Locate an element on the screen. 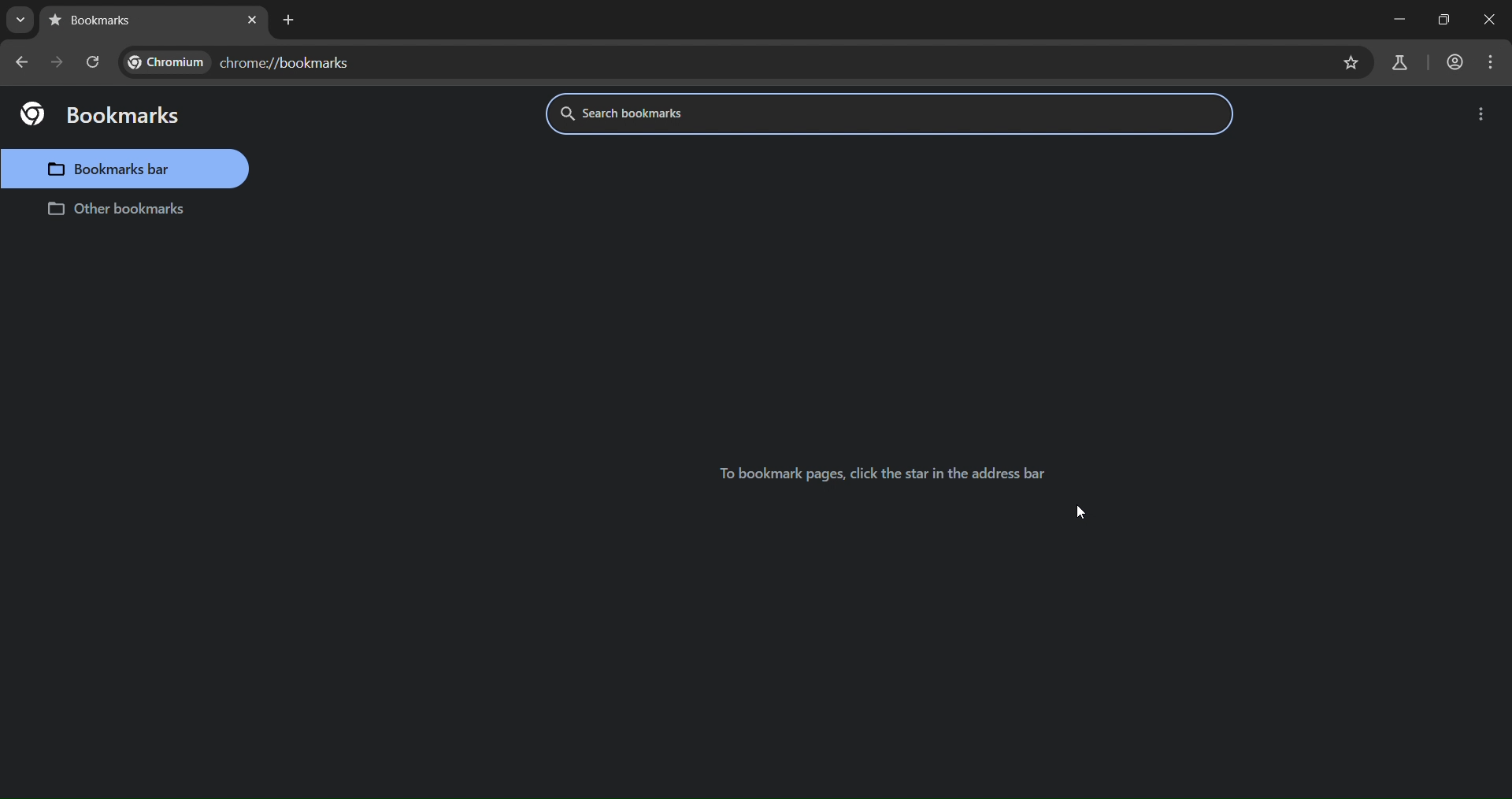 The width and height of the screenshot is (1512, 799). menu is located at coordinates (1494, 64).